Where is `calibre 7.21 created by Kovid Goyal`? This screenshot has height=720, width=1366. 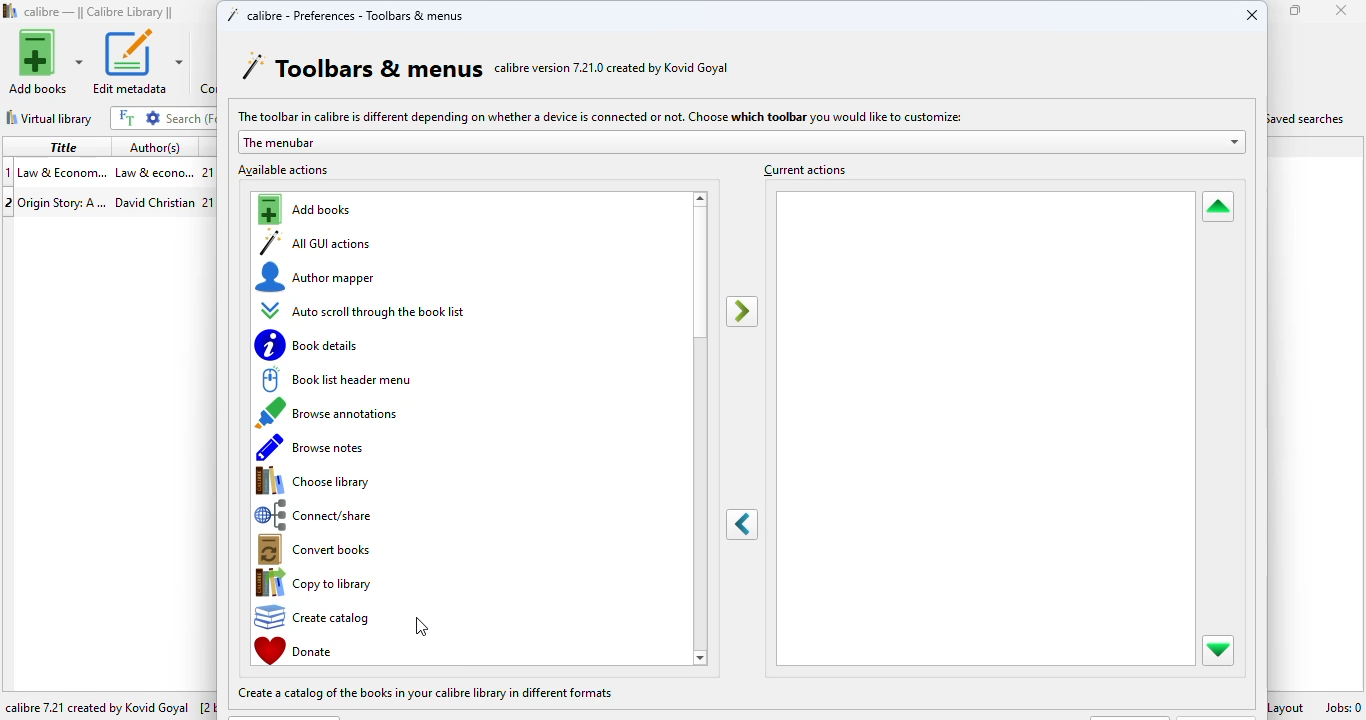
calibre 7.21 created by Kovid Goyal is located at coordinates (98, 708).